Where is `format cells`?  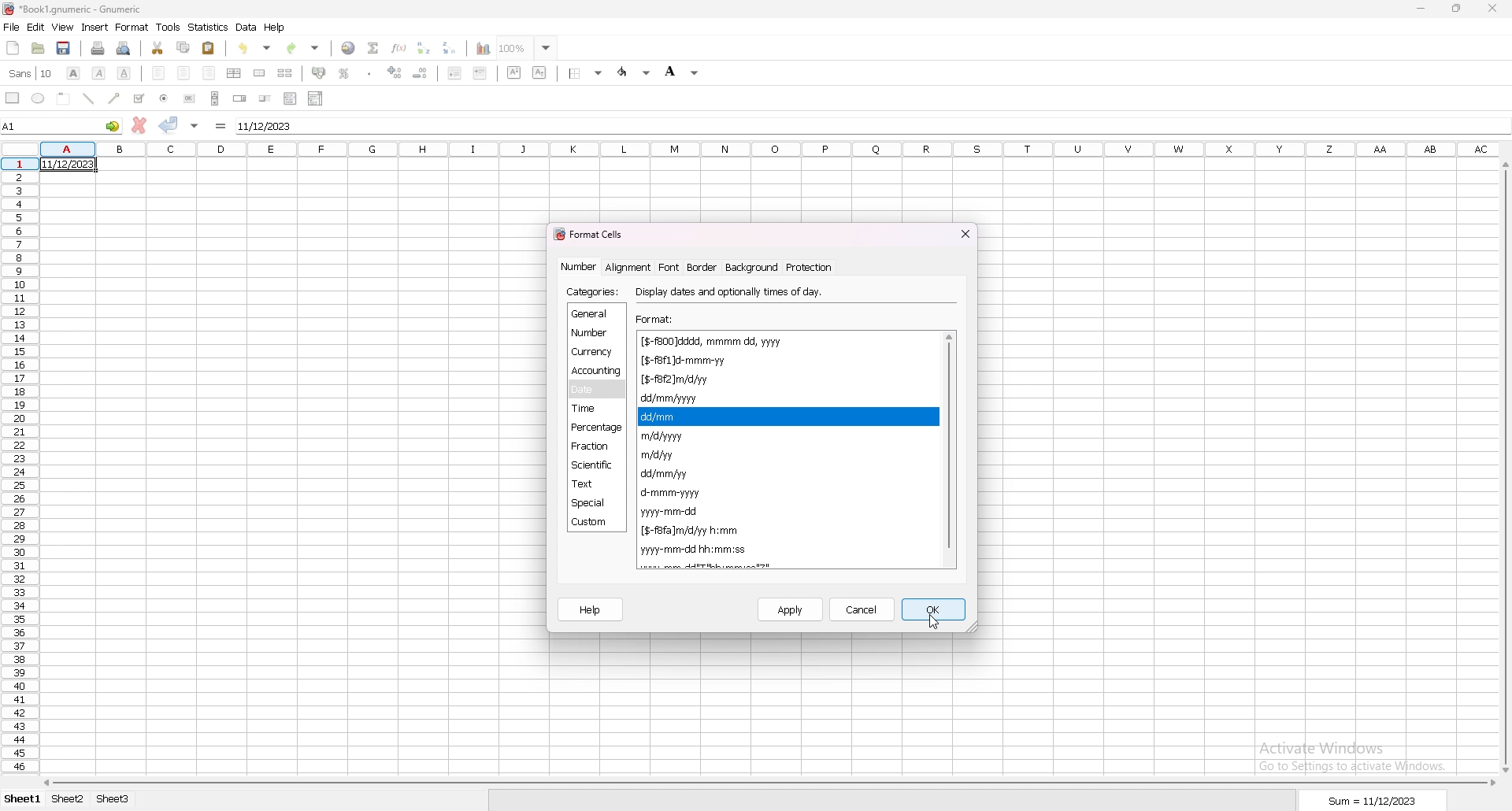
format cells is located at coordinates (592, 233).